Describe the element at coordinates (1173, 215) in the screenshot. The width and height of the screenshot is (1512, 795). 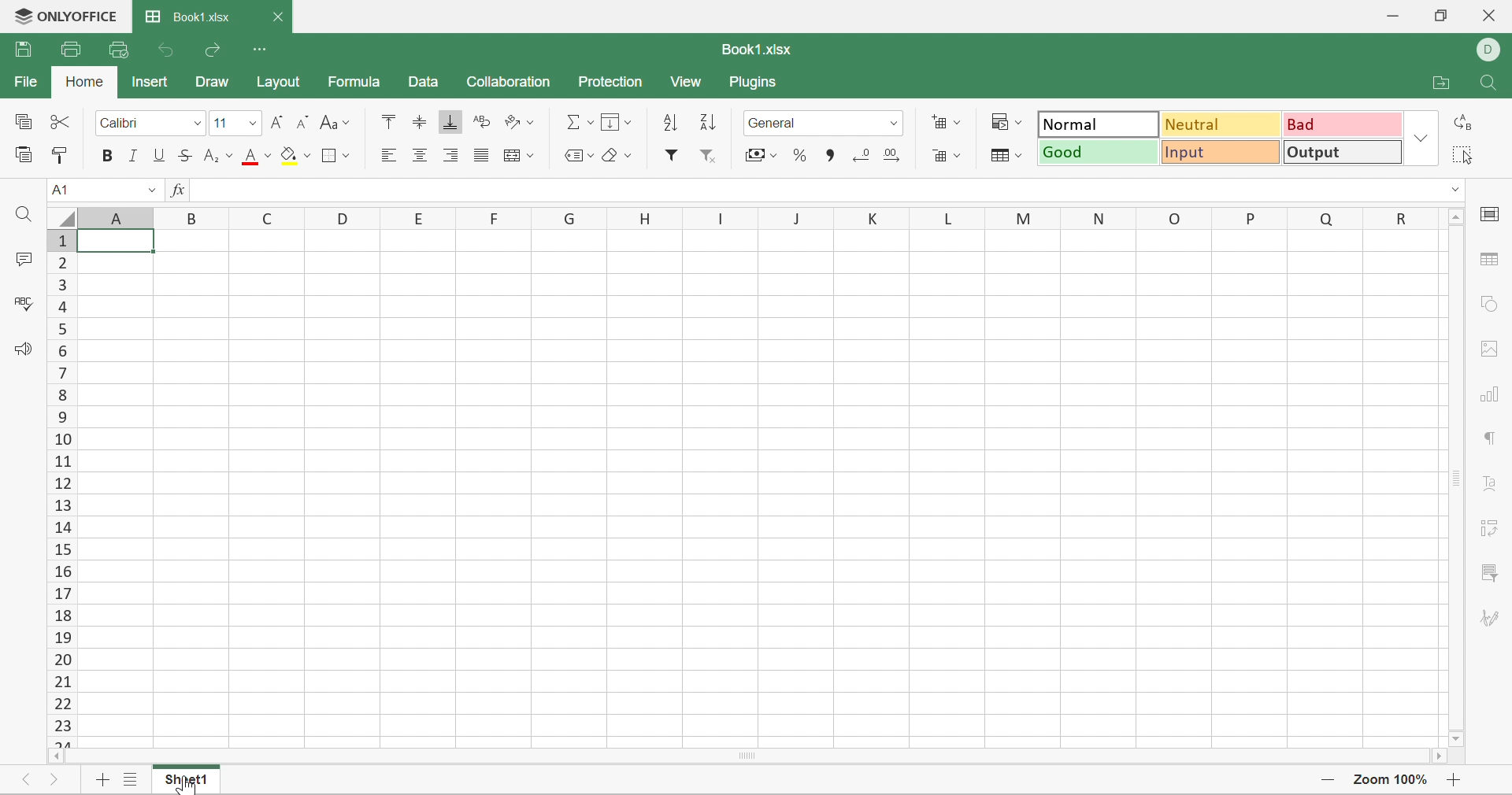
I see `O` at that location.